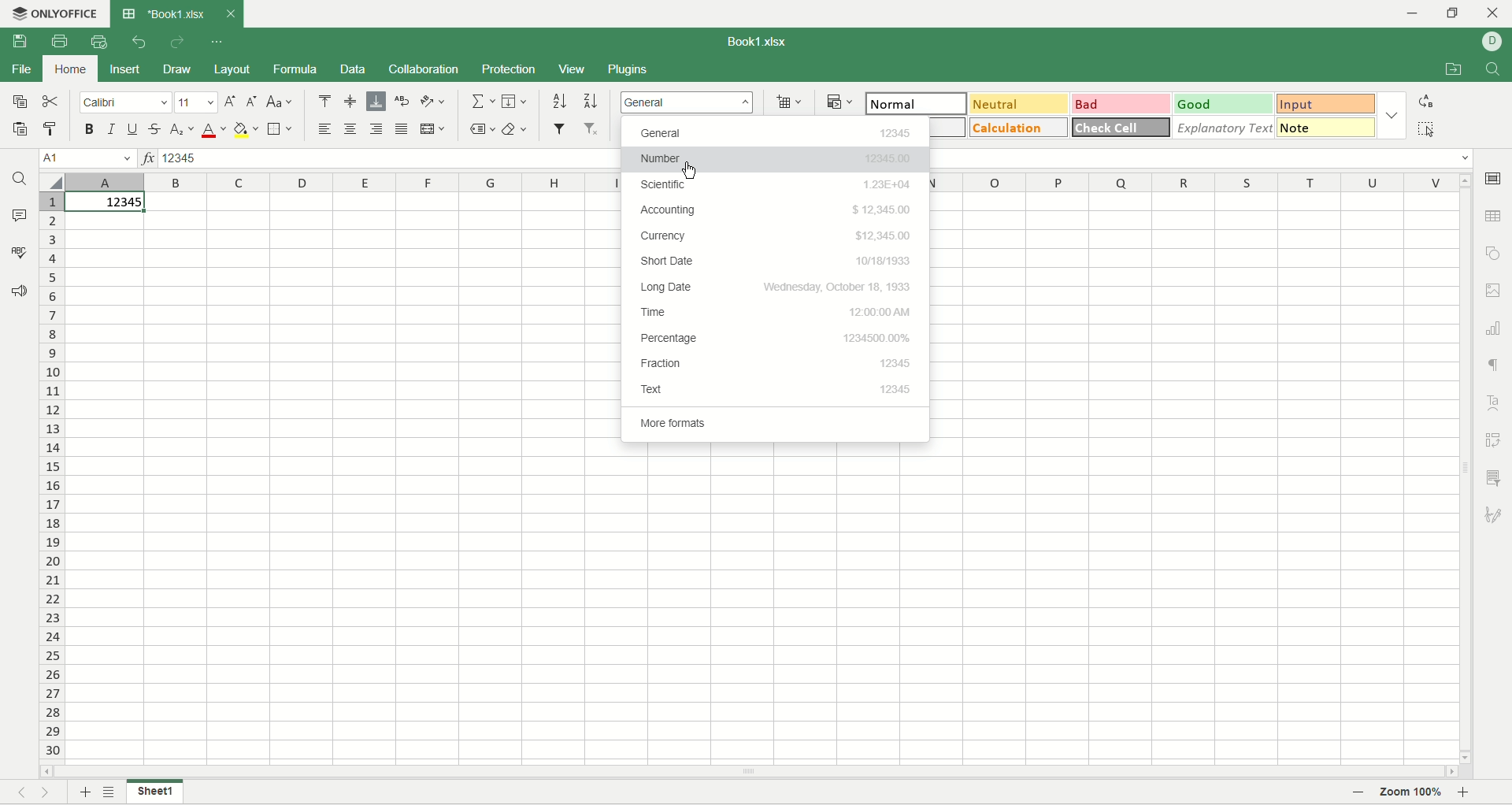  What do you see at coordinates (60, 41) in the screenshot?
I see `print` at bounding box center [60, 41].